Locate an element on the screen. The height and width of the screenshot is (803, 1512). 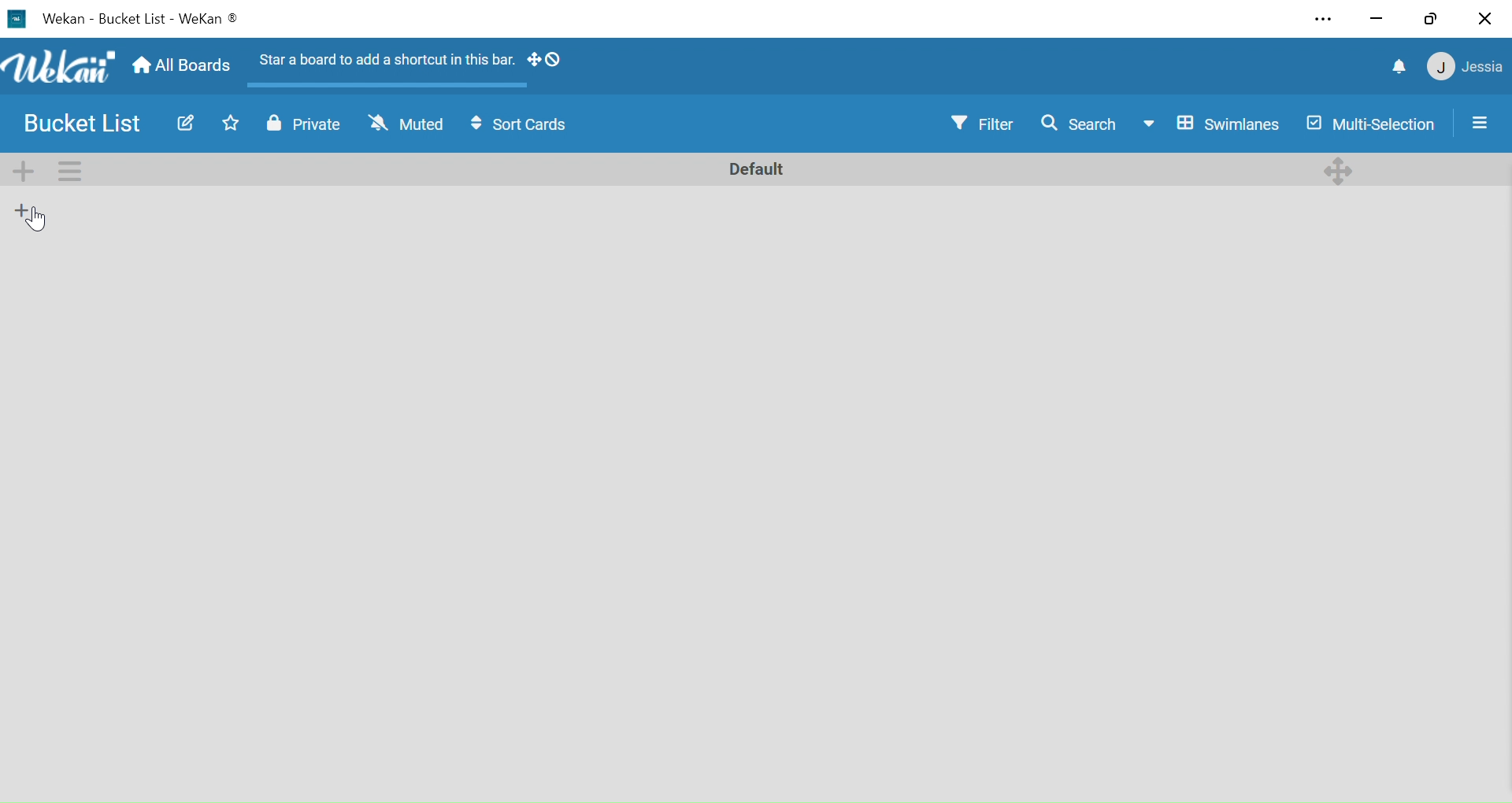
Star a board to add a shortcut in this bar is located at coordinates (382, 63).